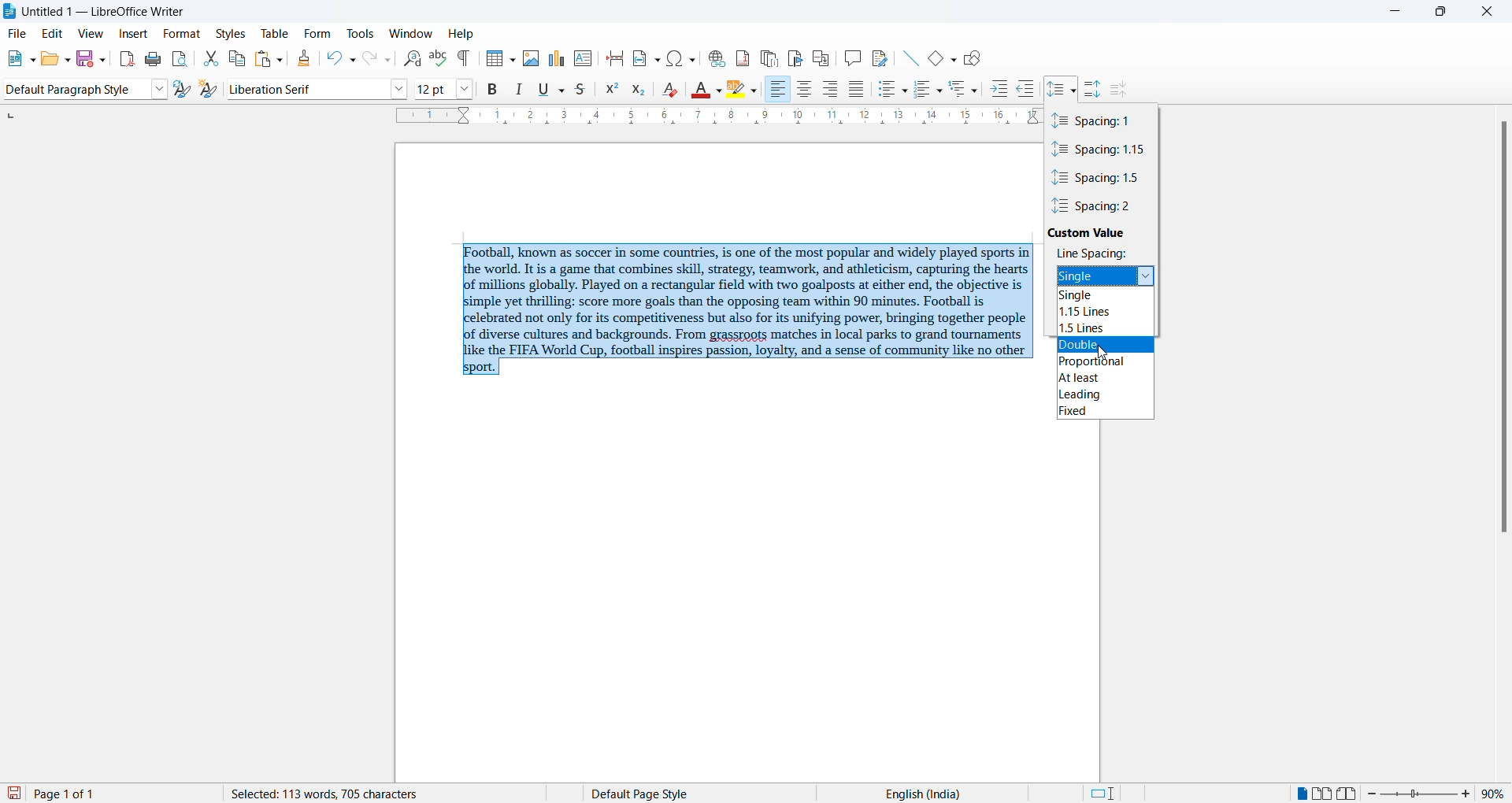 Image resolution: width=1512 pixels, height=803 pixels. What do you see at coordinates (209, 56) in the screenshot?
I see `cut` at bounding box center [209, 56].